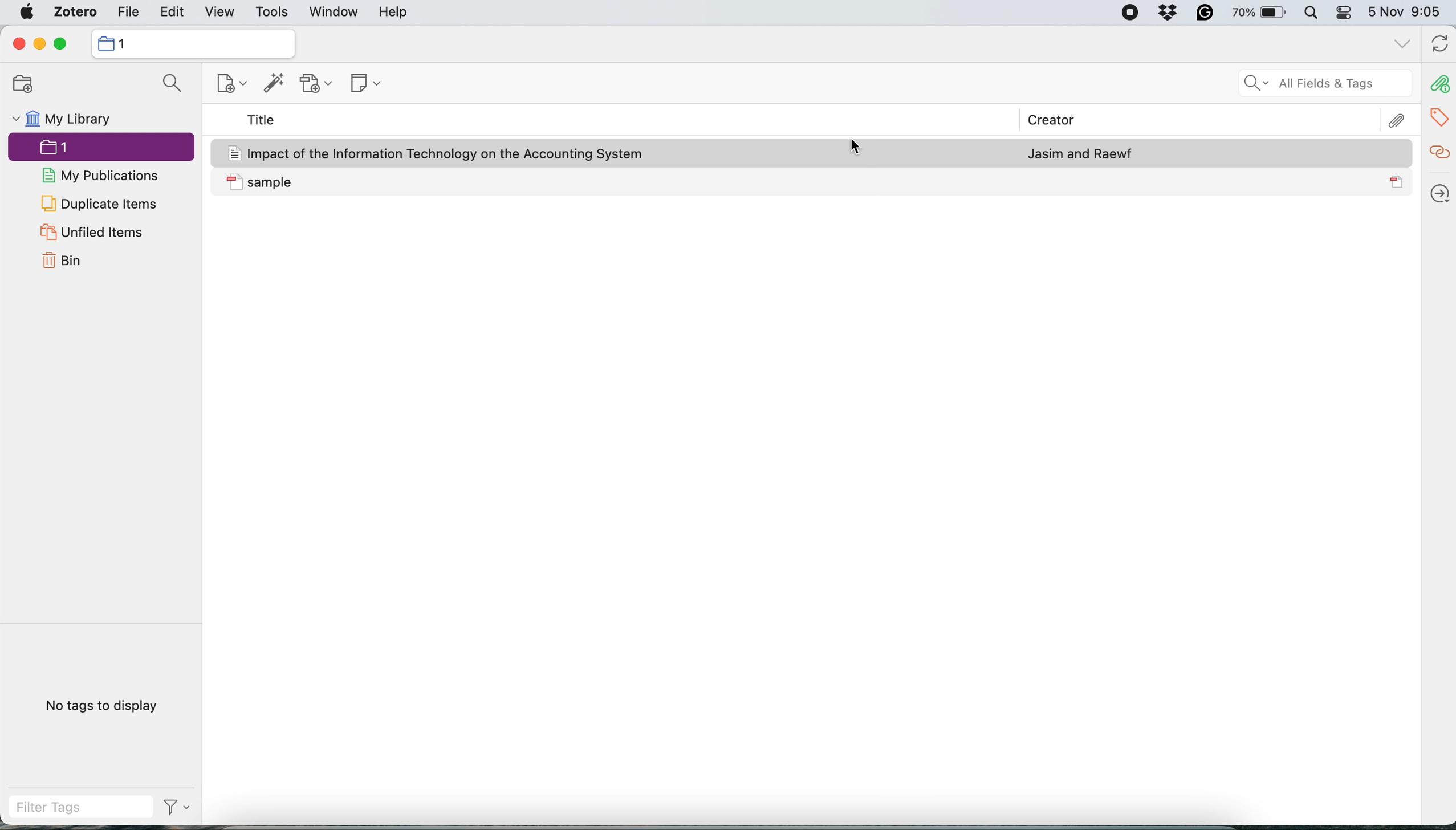 Image resolution: width=1456 pixels, height=830 pixels. Describe the element at coordinates (173, 14) in the screenshot. I see `edit` at that location.